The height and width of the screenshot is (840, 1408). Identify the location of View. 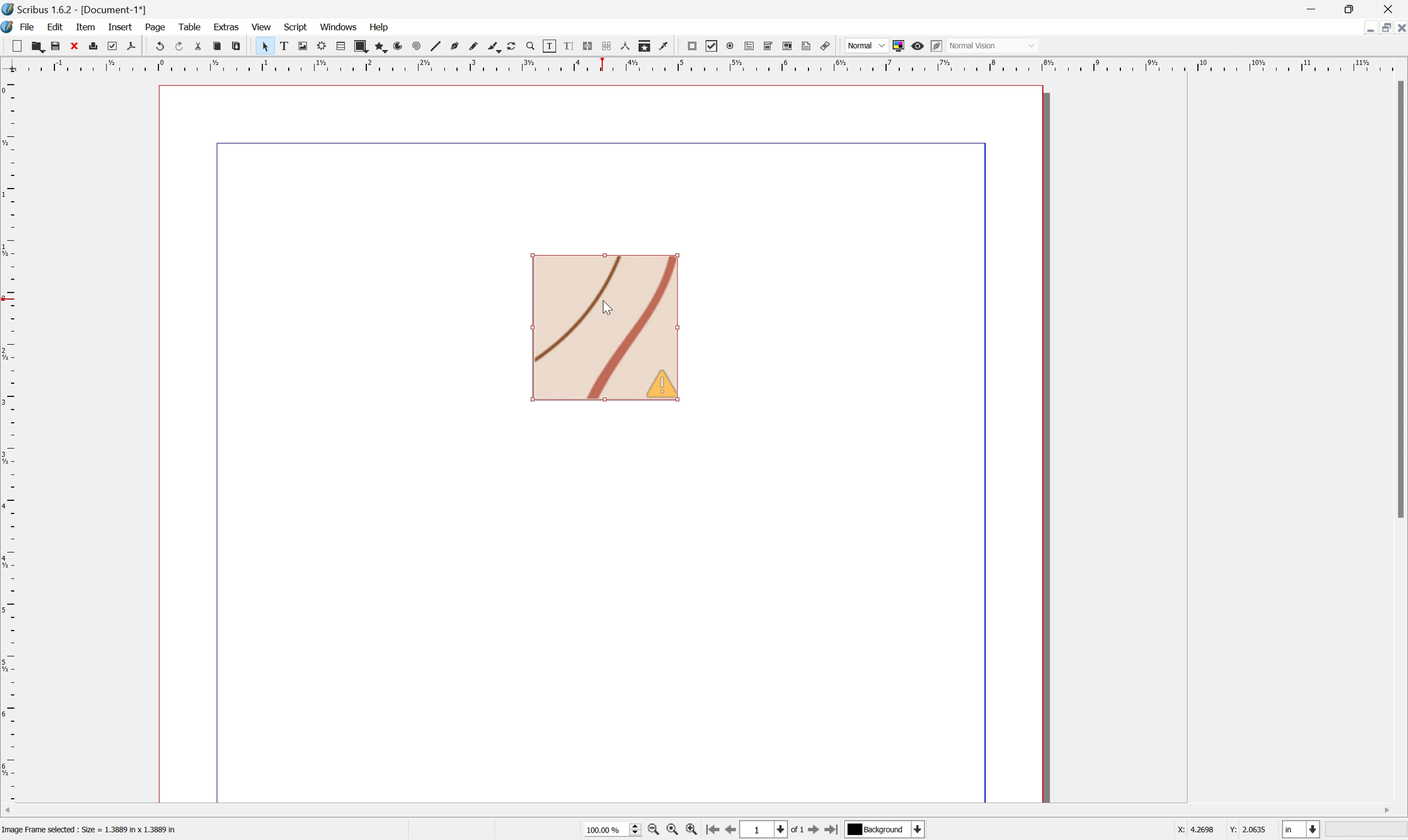
(260, 28).